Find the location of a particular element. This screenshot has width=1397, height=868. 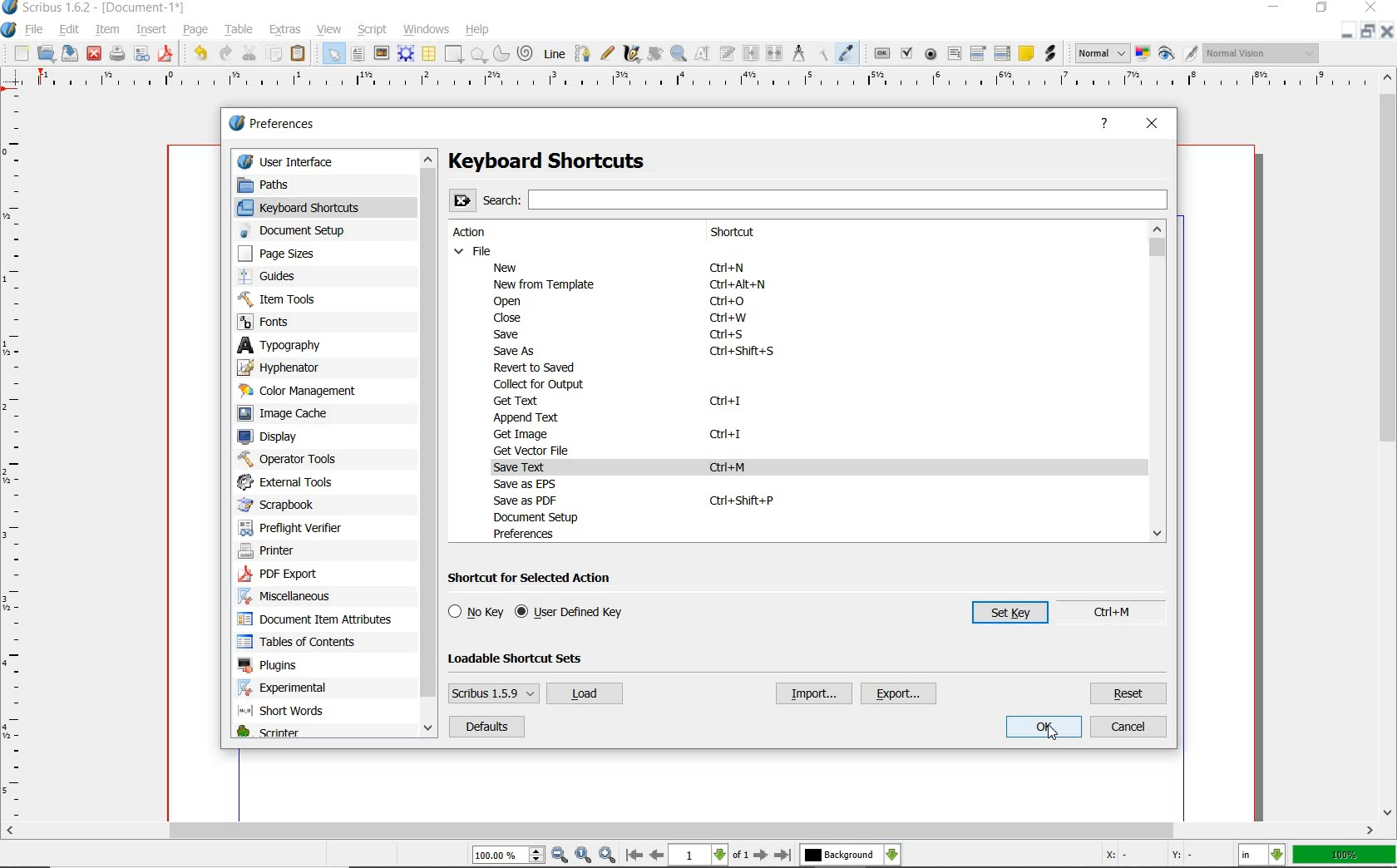

revert to saved is located at coordinates (538, 368).